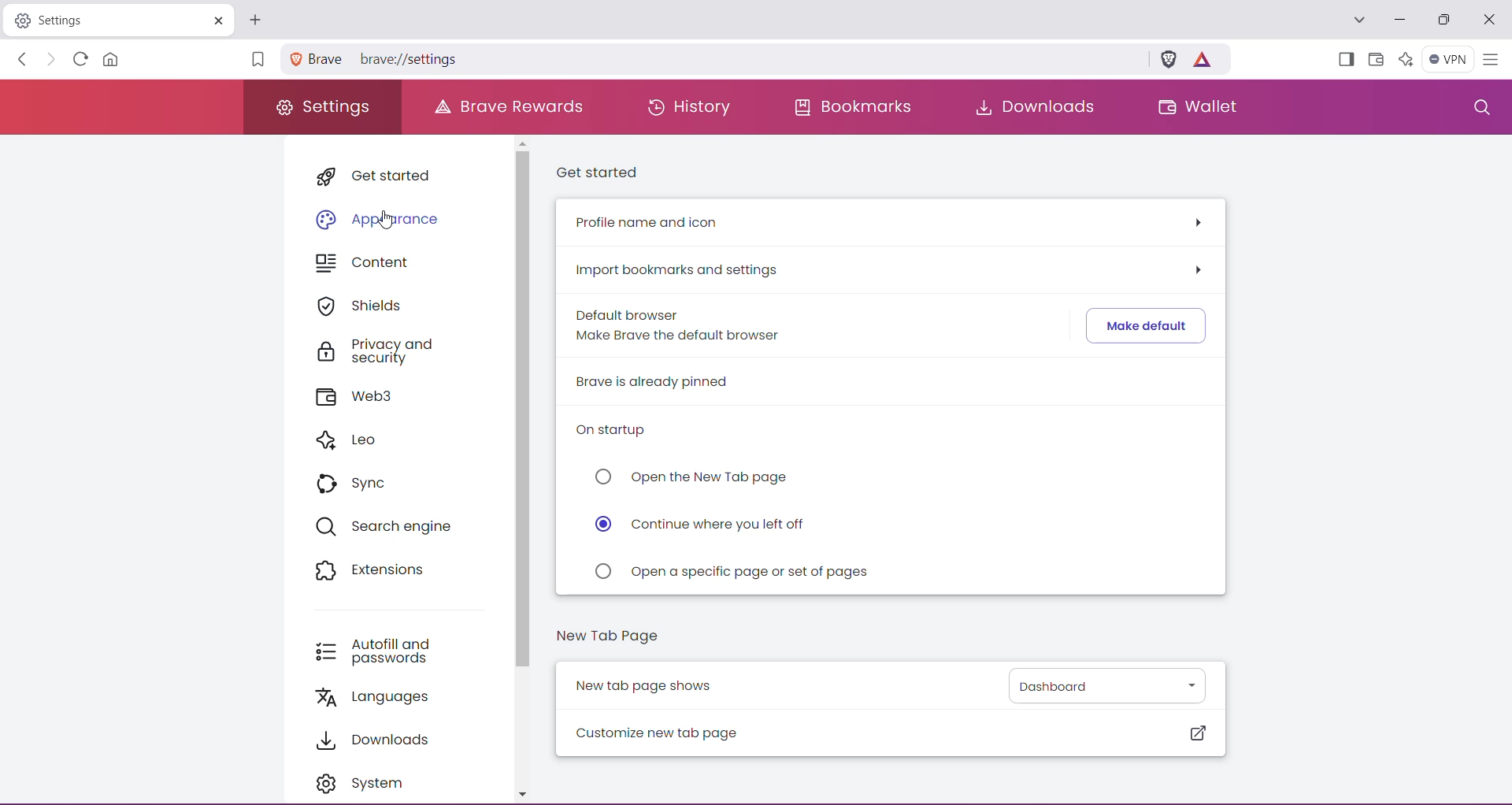  I want to click on Open the Homepage, so click(113, 59).